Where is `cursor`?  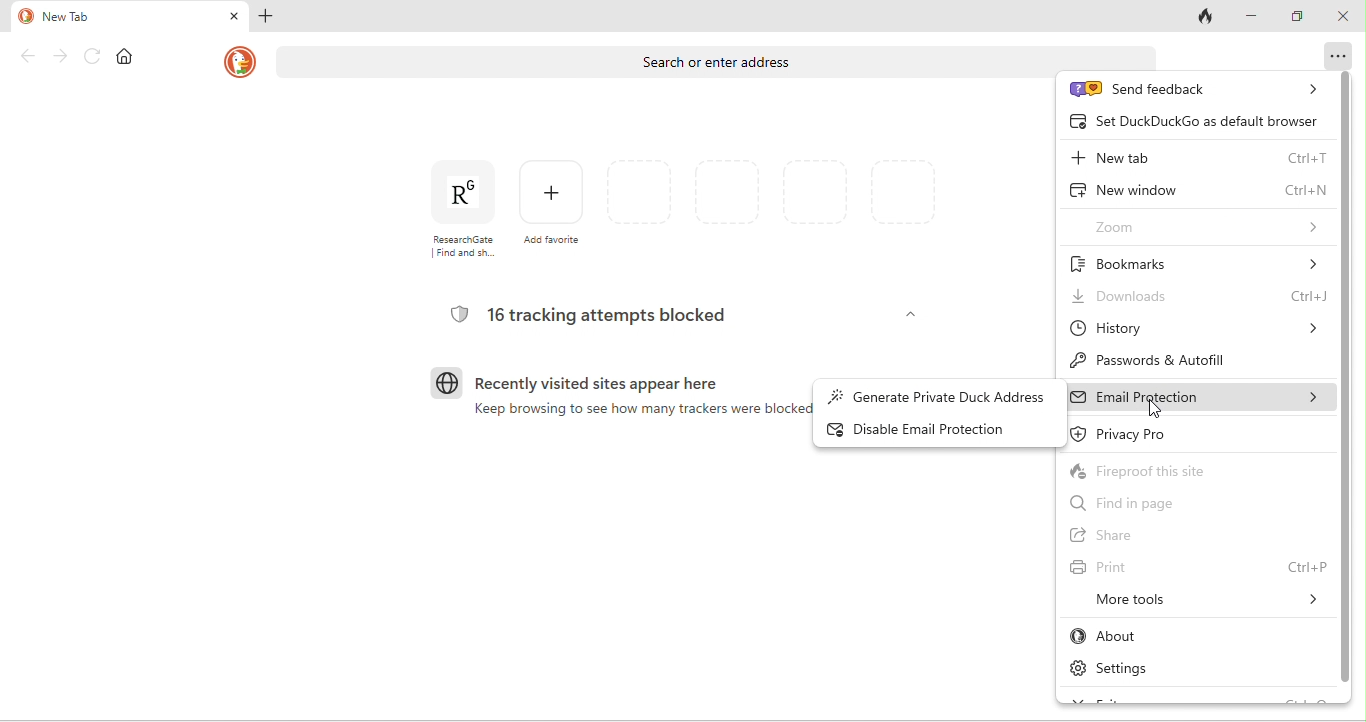 cursor is located at coordinates (1156, 411).